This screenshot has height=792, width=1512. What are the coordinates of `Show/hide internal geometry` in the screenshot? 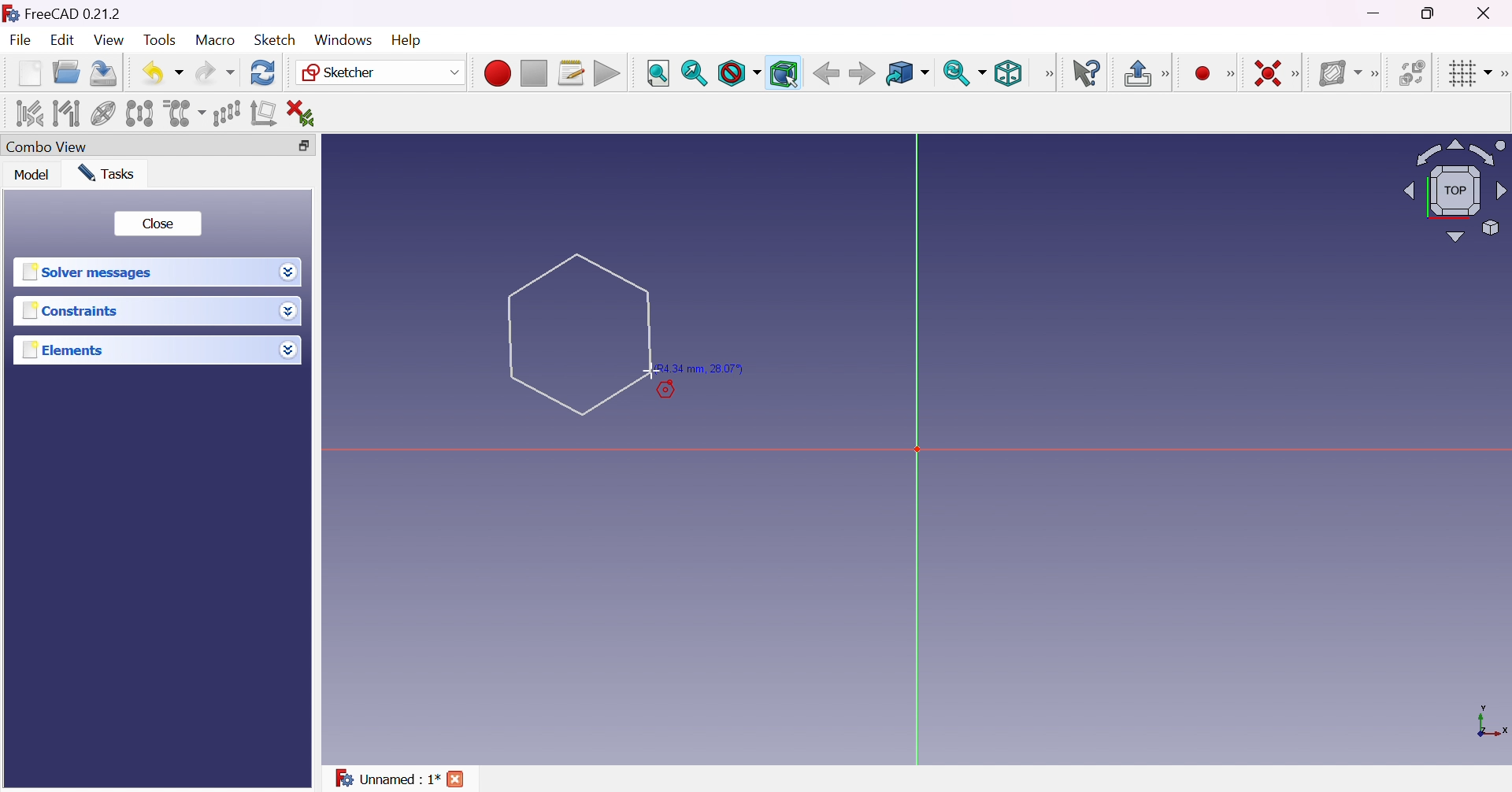 It's located at (104, 116).